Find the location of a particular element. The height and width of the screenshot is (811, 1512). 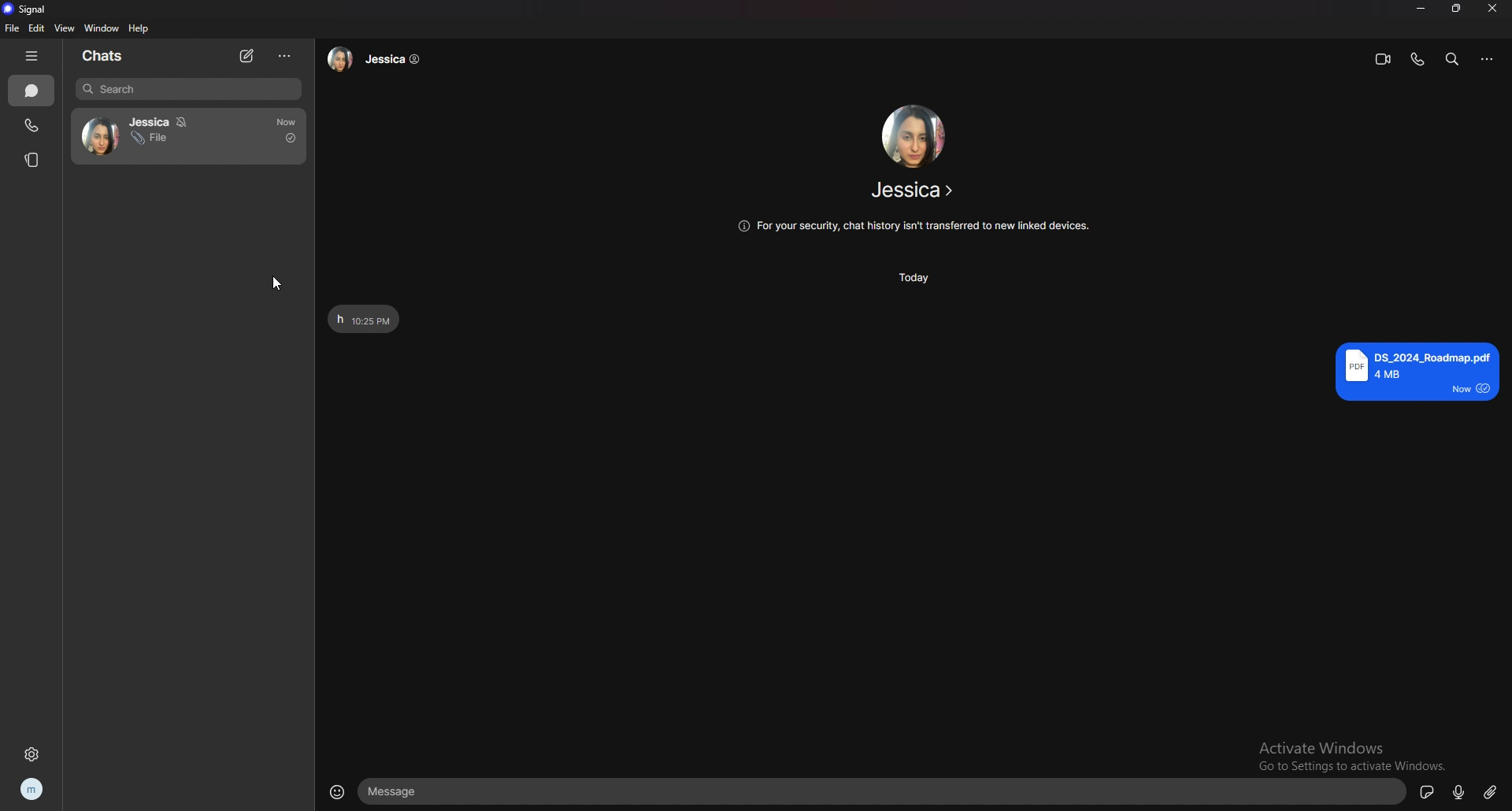

settings is located at coordinates (33, 754).